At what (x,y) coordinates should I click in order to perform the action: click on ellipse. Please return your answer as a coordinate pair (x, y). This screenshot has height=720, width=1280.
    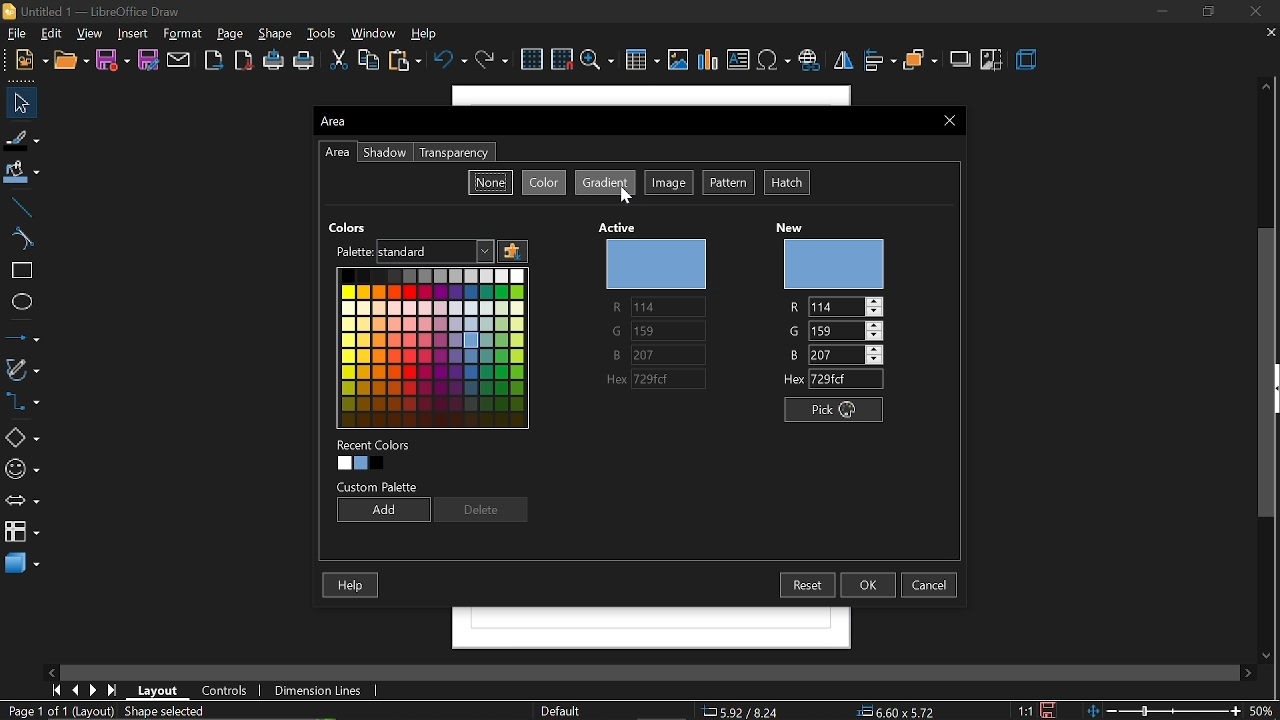
    Looking at the image, I should click on (18, 304).